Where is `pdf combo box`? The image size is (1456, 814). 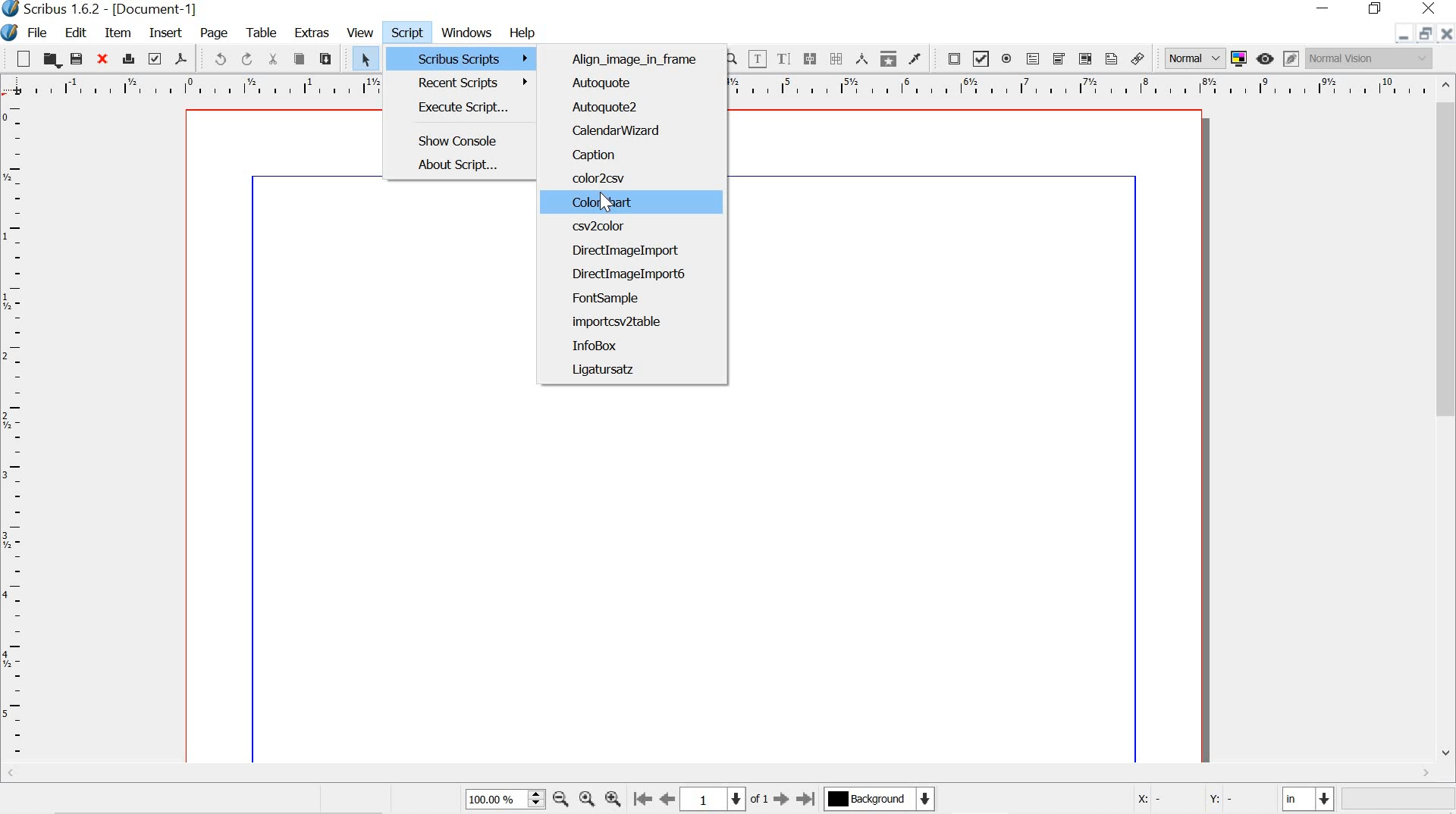
pdf combo box is located at coordinates (1059, 59).